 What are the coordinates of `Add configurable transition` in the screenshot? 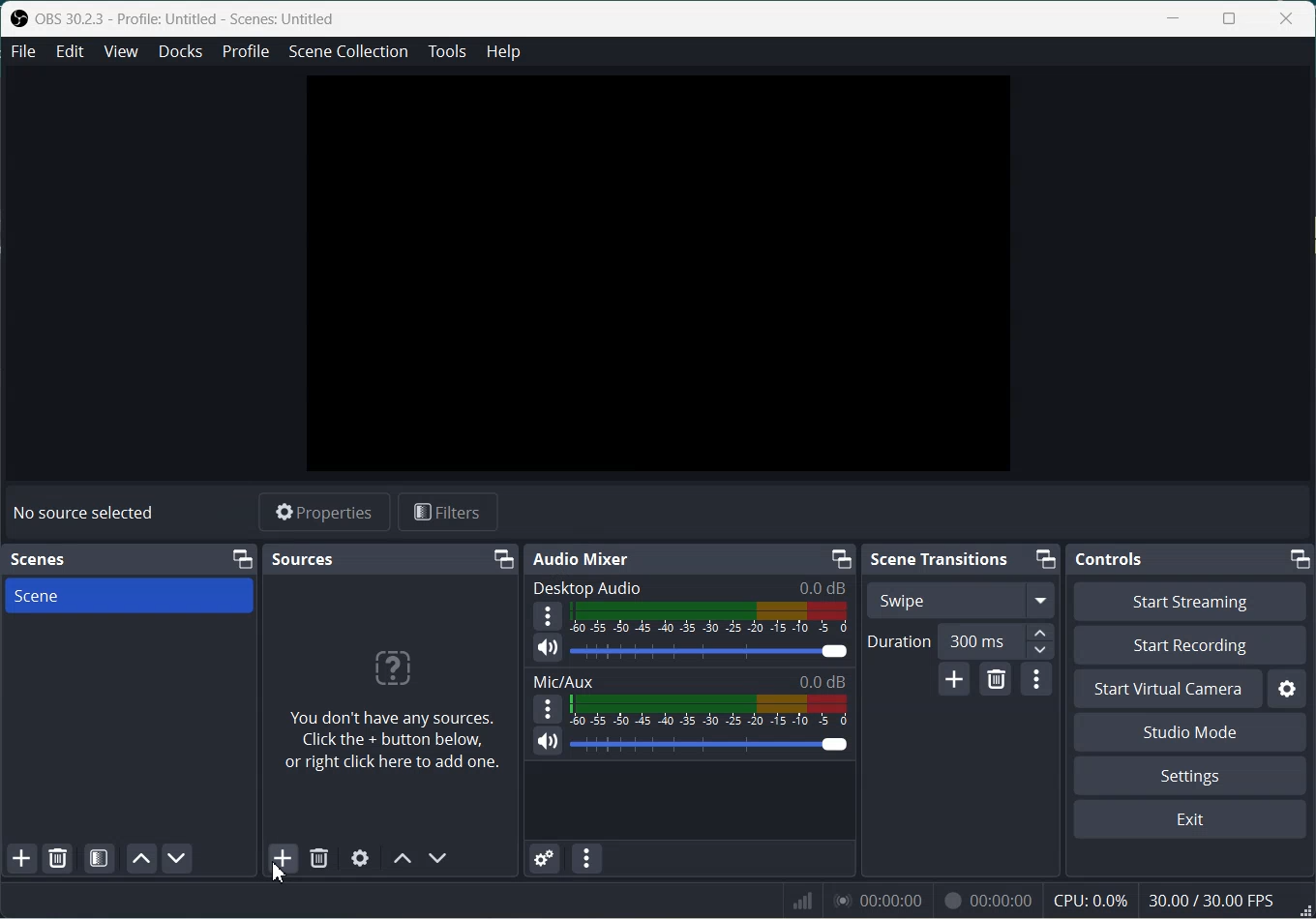 It's located at (956, 681).